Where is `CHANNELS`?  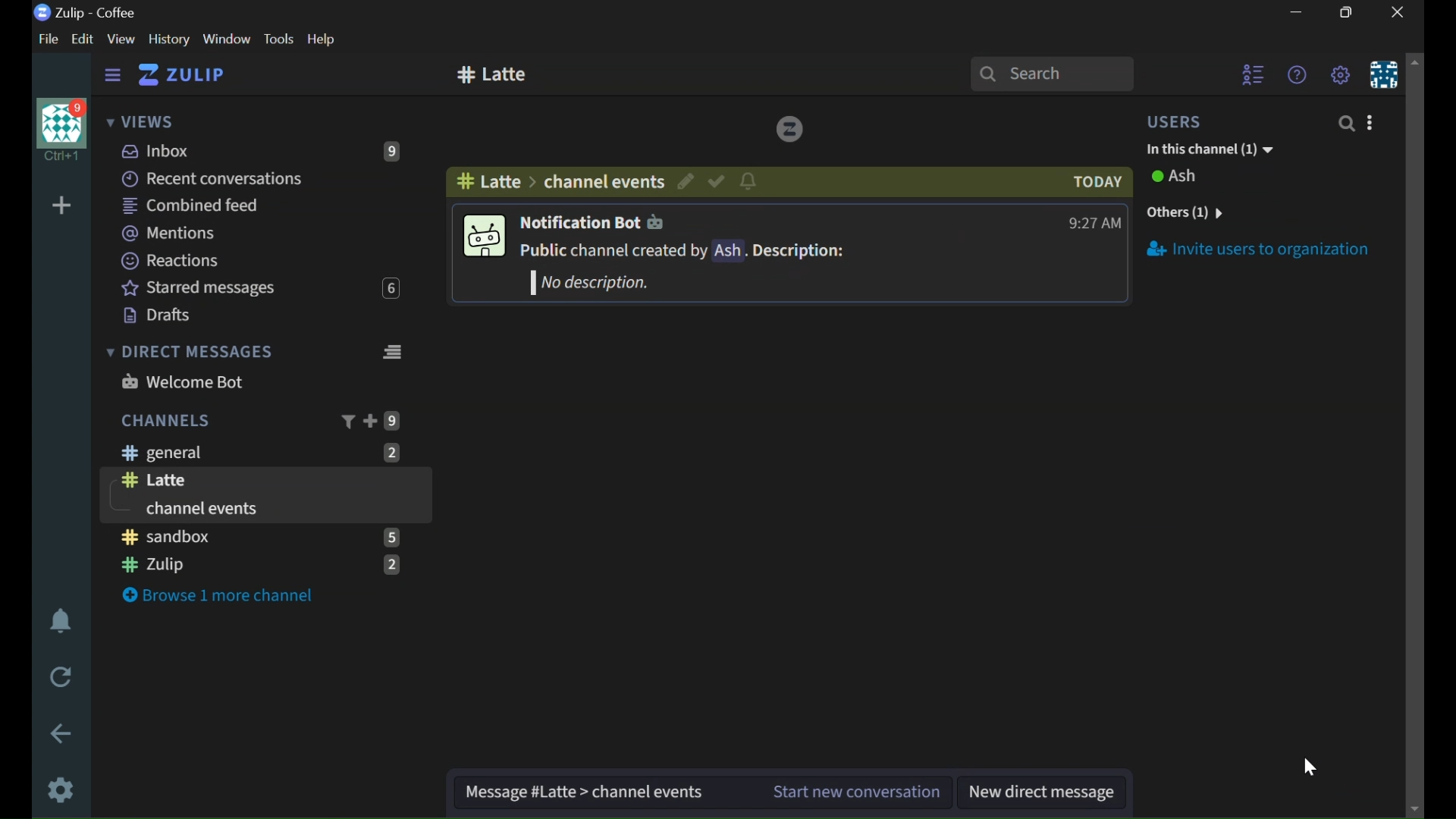 CHANNELS is located at coordinates (165, 420).